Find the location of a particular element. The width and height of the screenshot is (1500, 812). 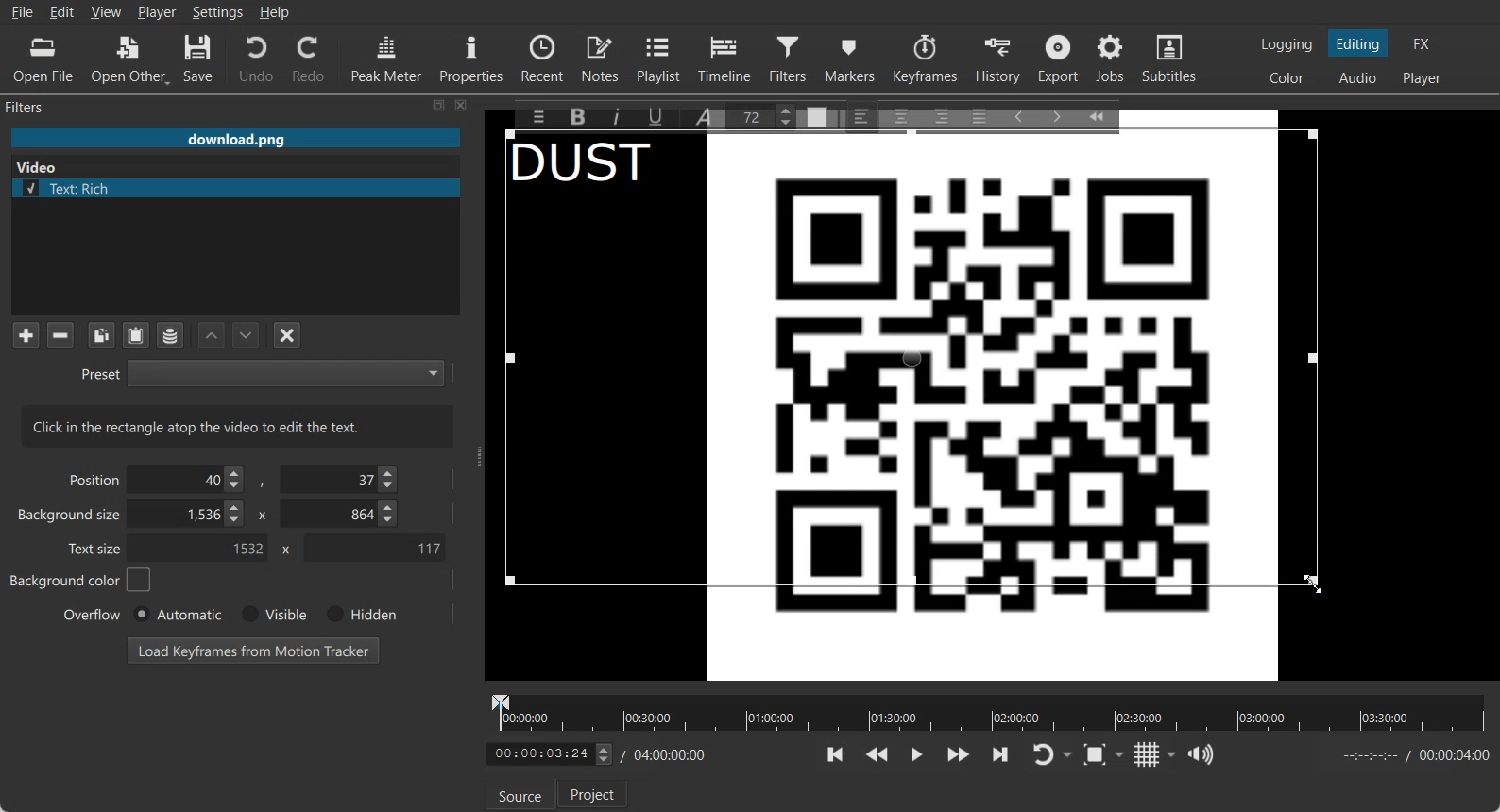

Justify is located at coordinates (980, 113).